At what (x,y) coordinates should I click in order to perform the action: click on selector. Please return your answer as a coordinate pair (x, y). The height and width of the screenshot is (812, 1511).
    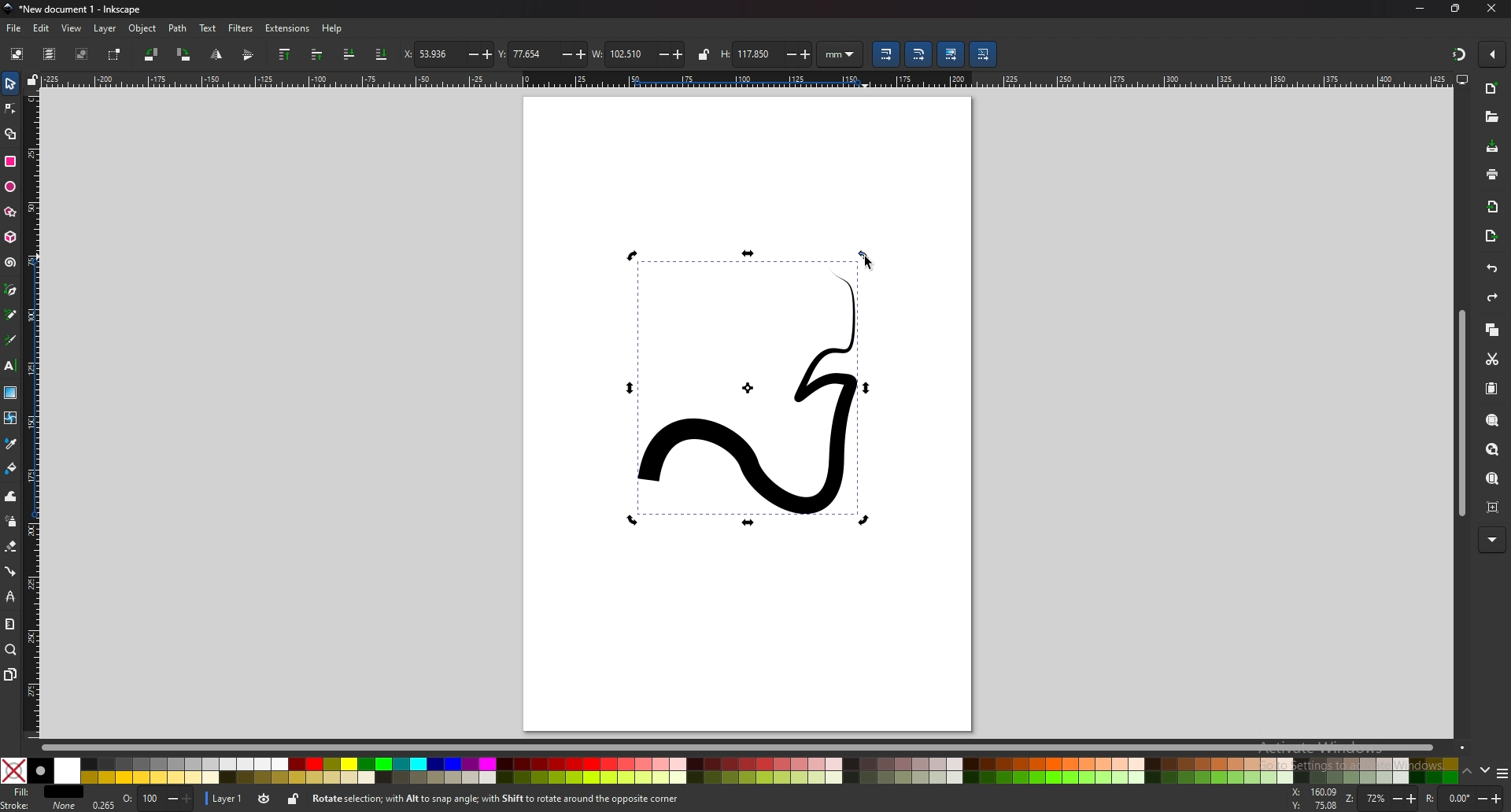
    Looking at the image, I should click on (11, 83).